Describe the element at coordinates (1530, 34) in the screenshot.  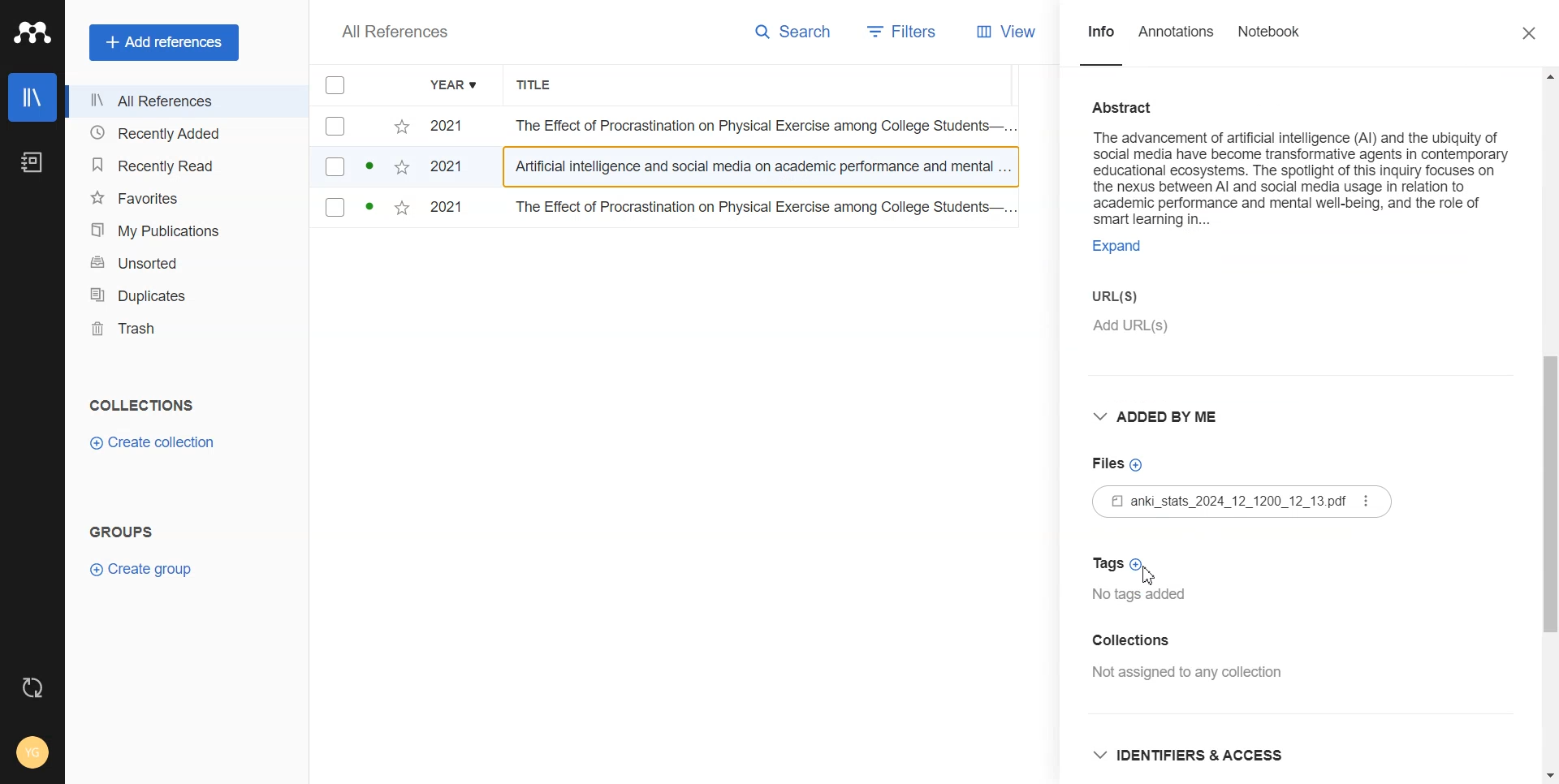
I see `Close` at that location.